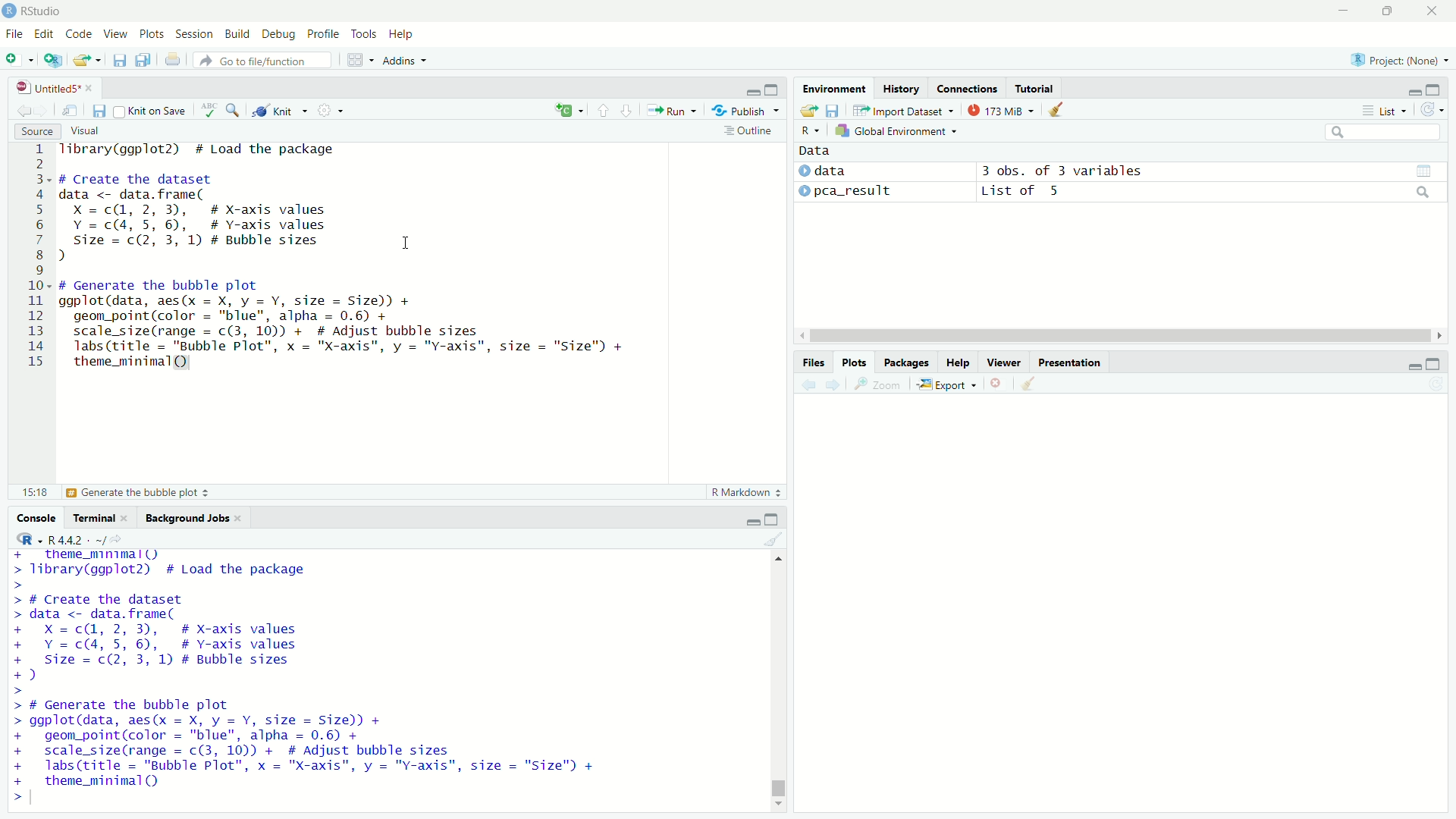 The image size is (1456, 819). Describe the element at coordinates (238, 35) in the screenshot. I see `build` at that location.